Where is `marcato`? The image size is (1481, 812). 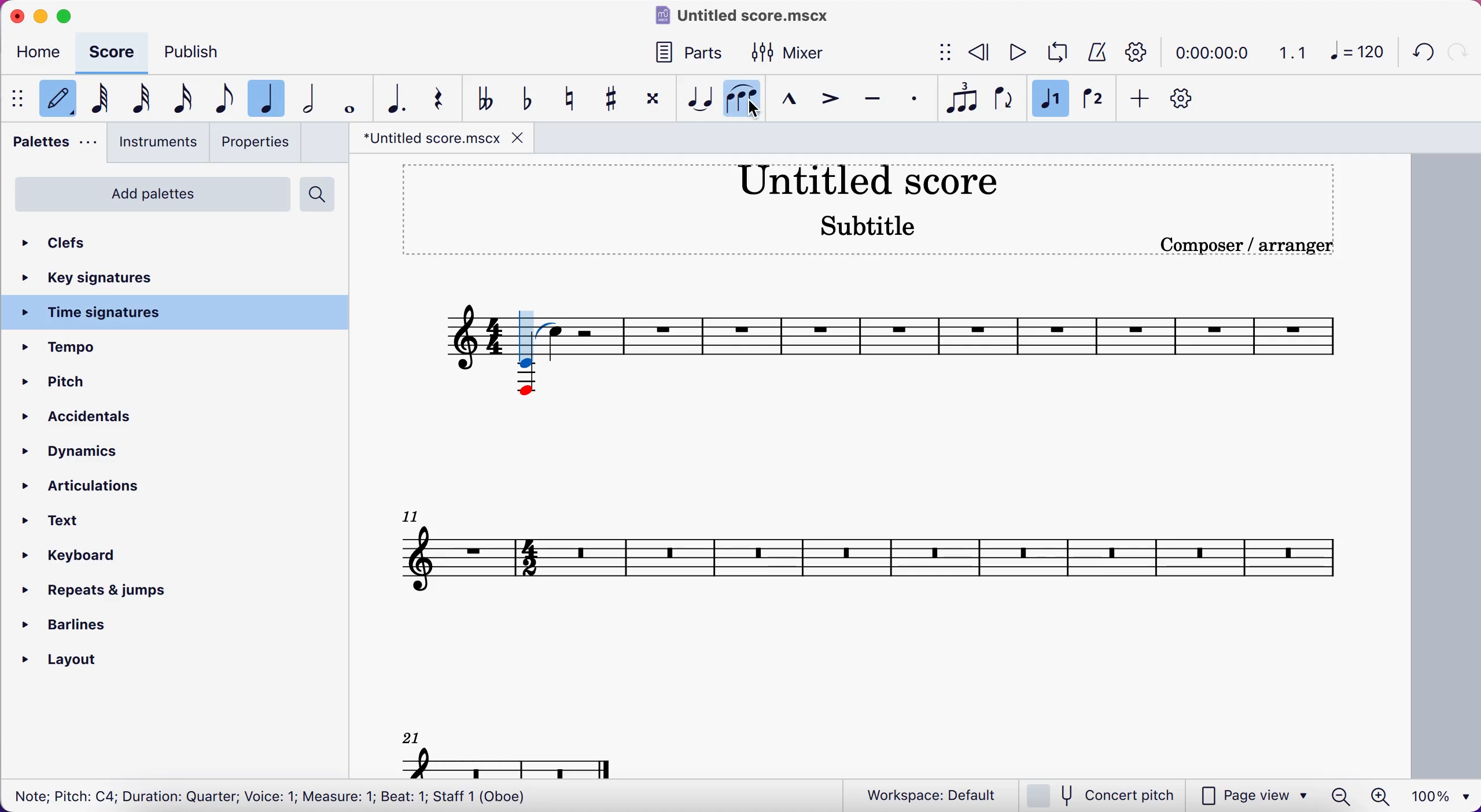
marcato is located at coordinates (787, 101).